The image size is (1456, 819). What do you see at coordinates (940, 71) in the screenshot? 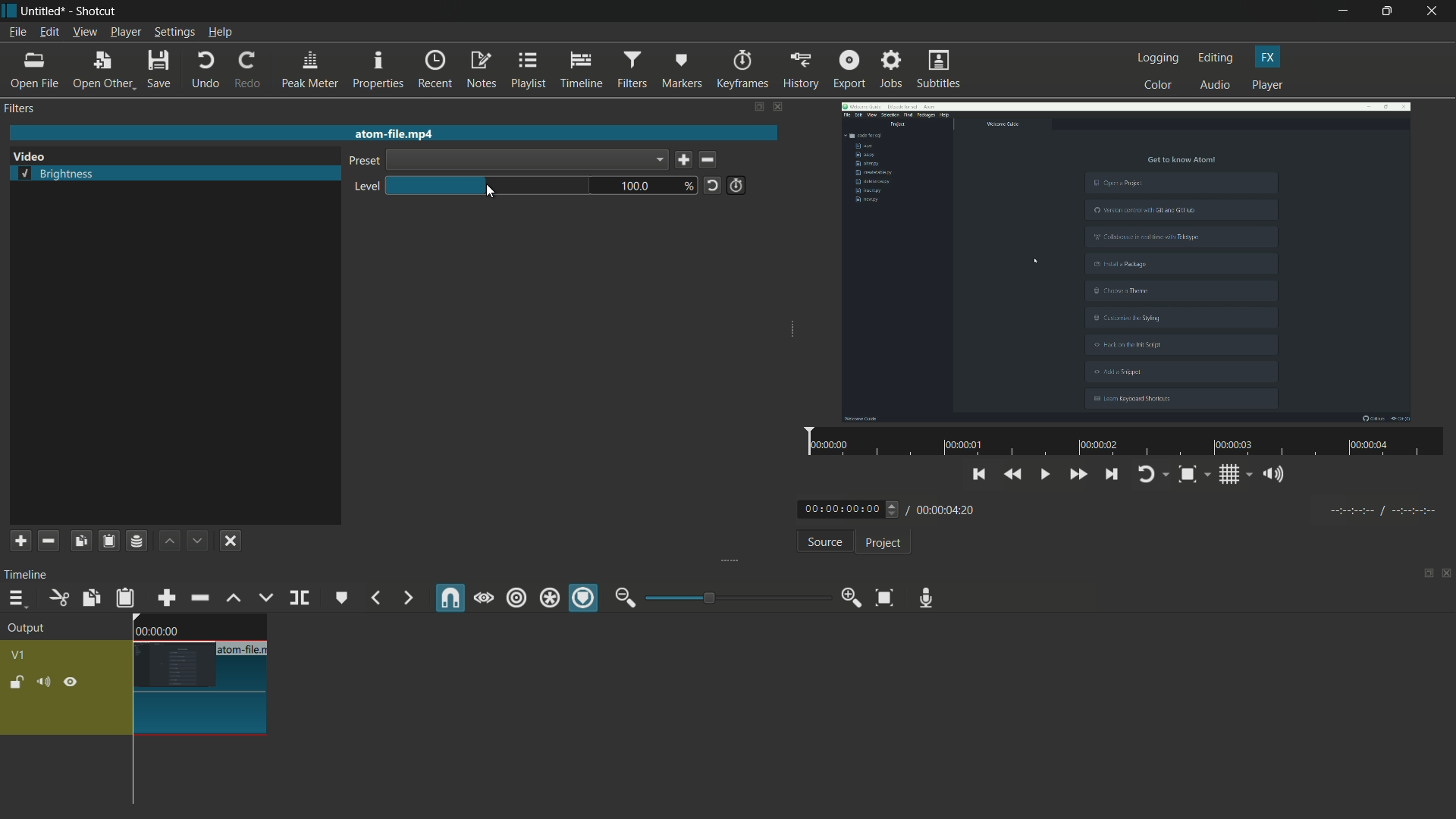
I see `subtitles` at bounding box center [940, 71].